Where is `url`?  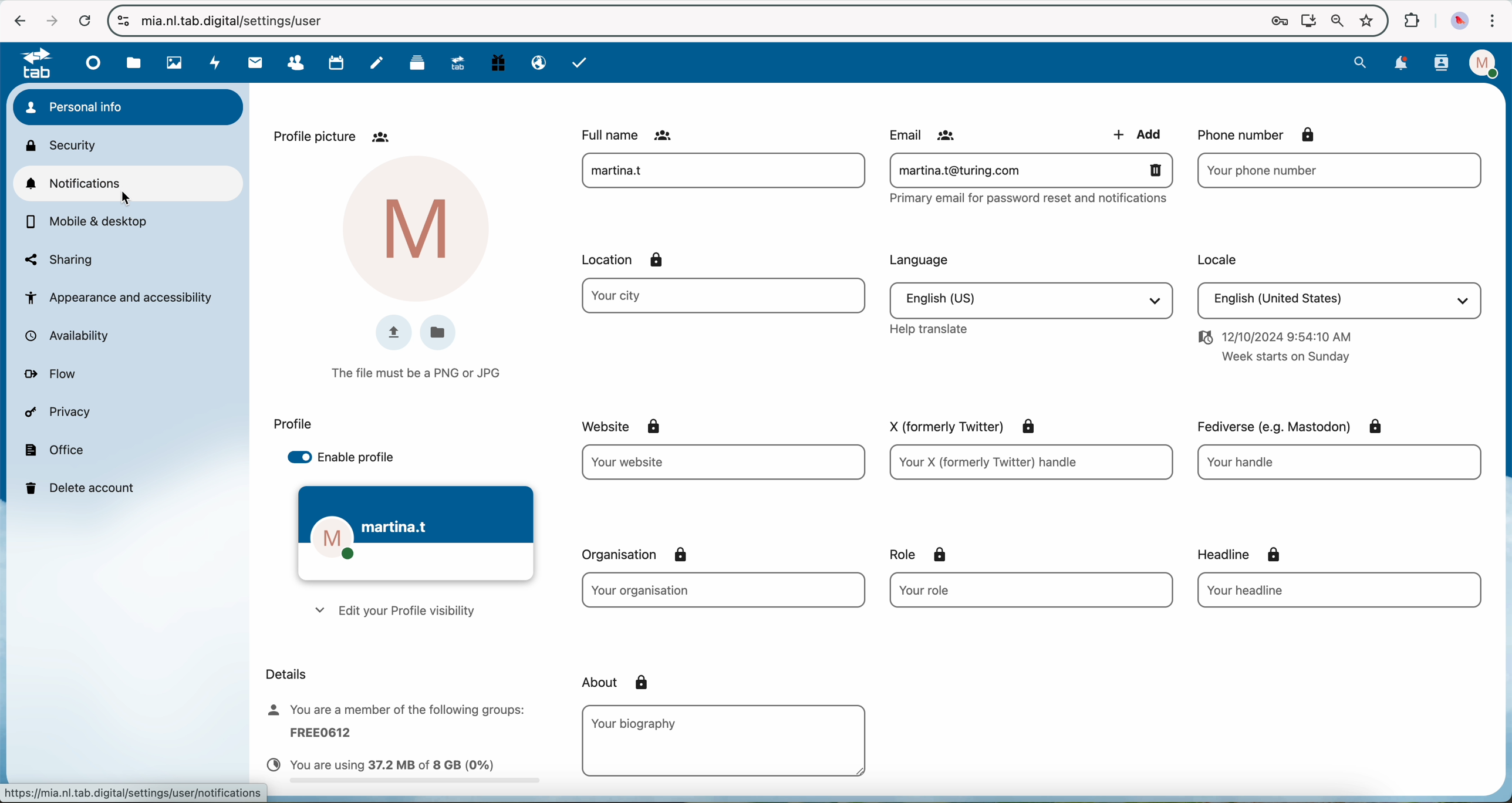
url is located at coordinates (238, 19).